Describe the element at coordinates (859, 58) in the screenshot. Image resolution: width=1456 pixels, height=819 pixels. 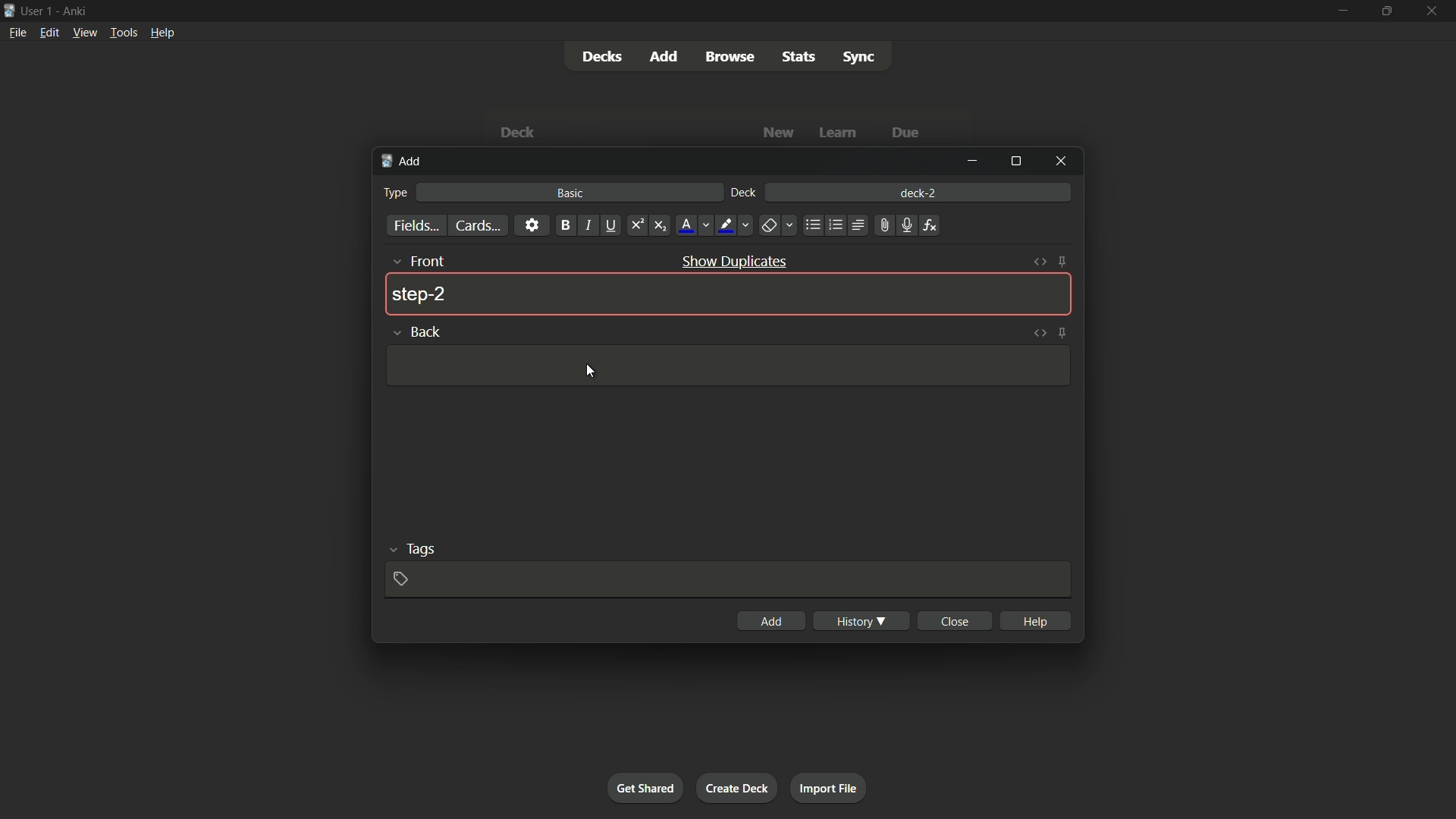
I see `sync` at that location.